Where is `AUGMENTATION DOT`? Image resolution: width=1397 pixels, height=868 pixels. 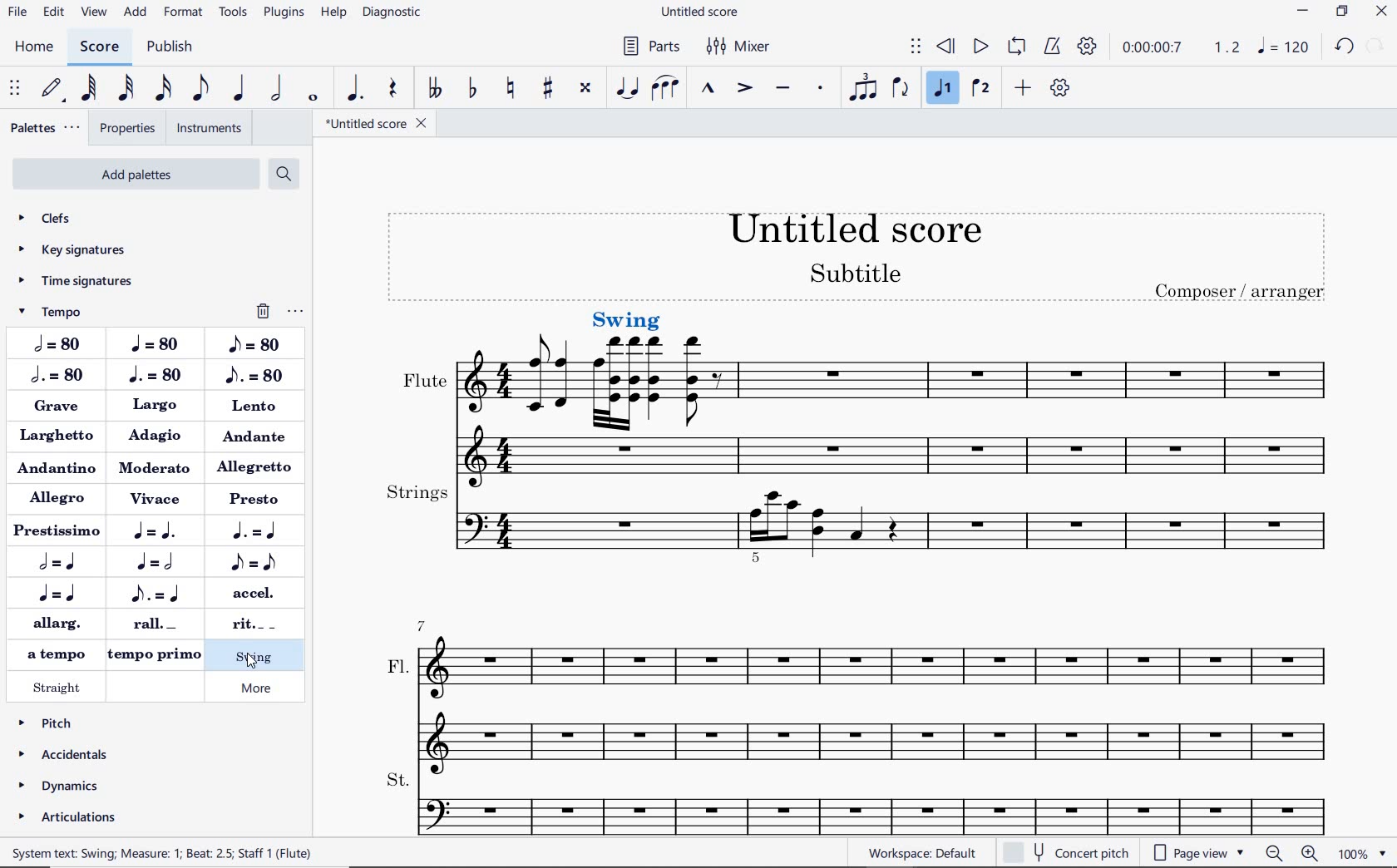
AUGMENTATION DOT is located at coordinates (355, 87).